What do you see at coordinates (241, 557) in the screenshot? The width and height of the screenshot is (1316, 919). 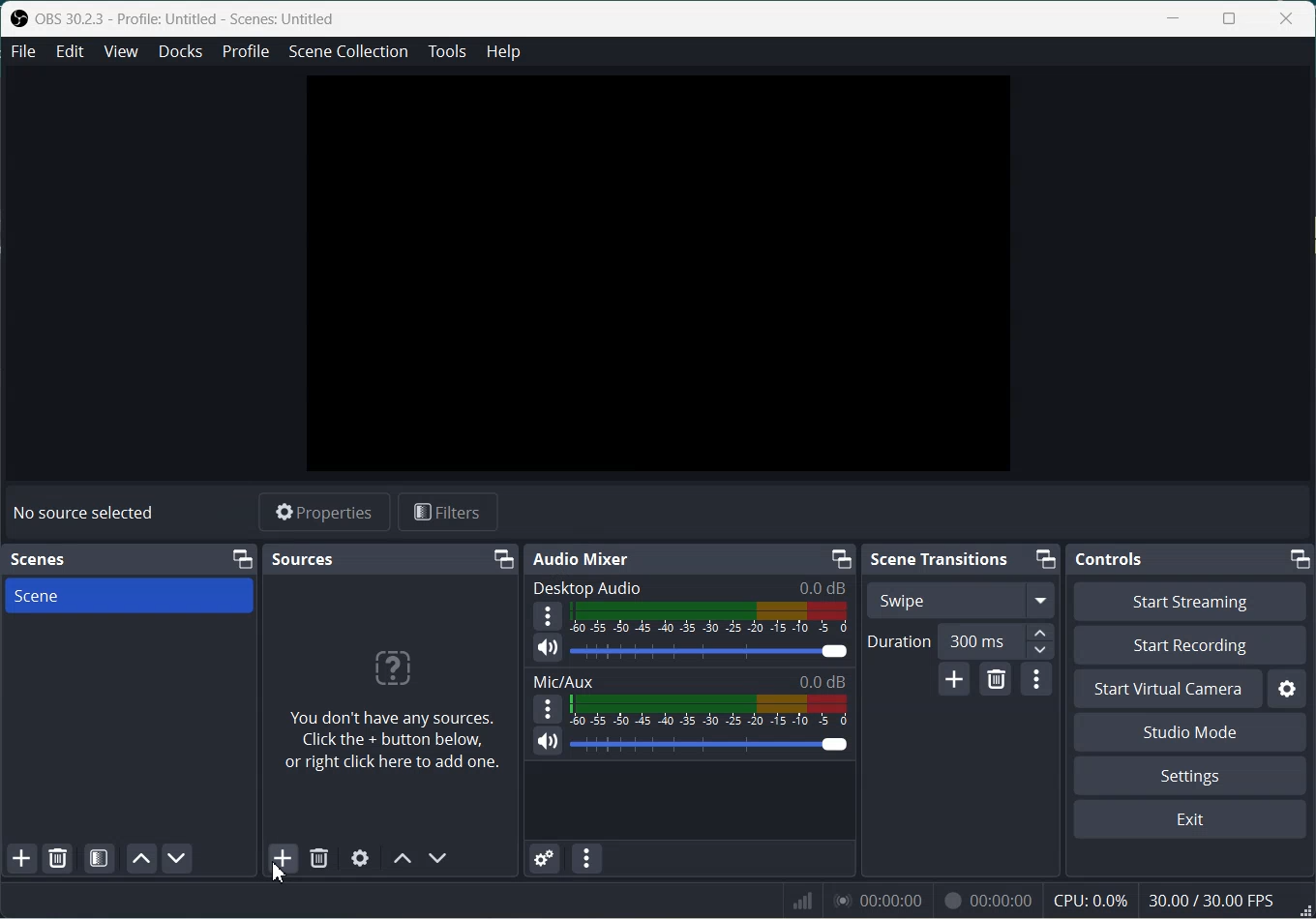 I see `Minimize` at bounding box center [241, 557].